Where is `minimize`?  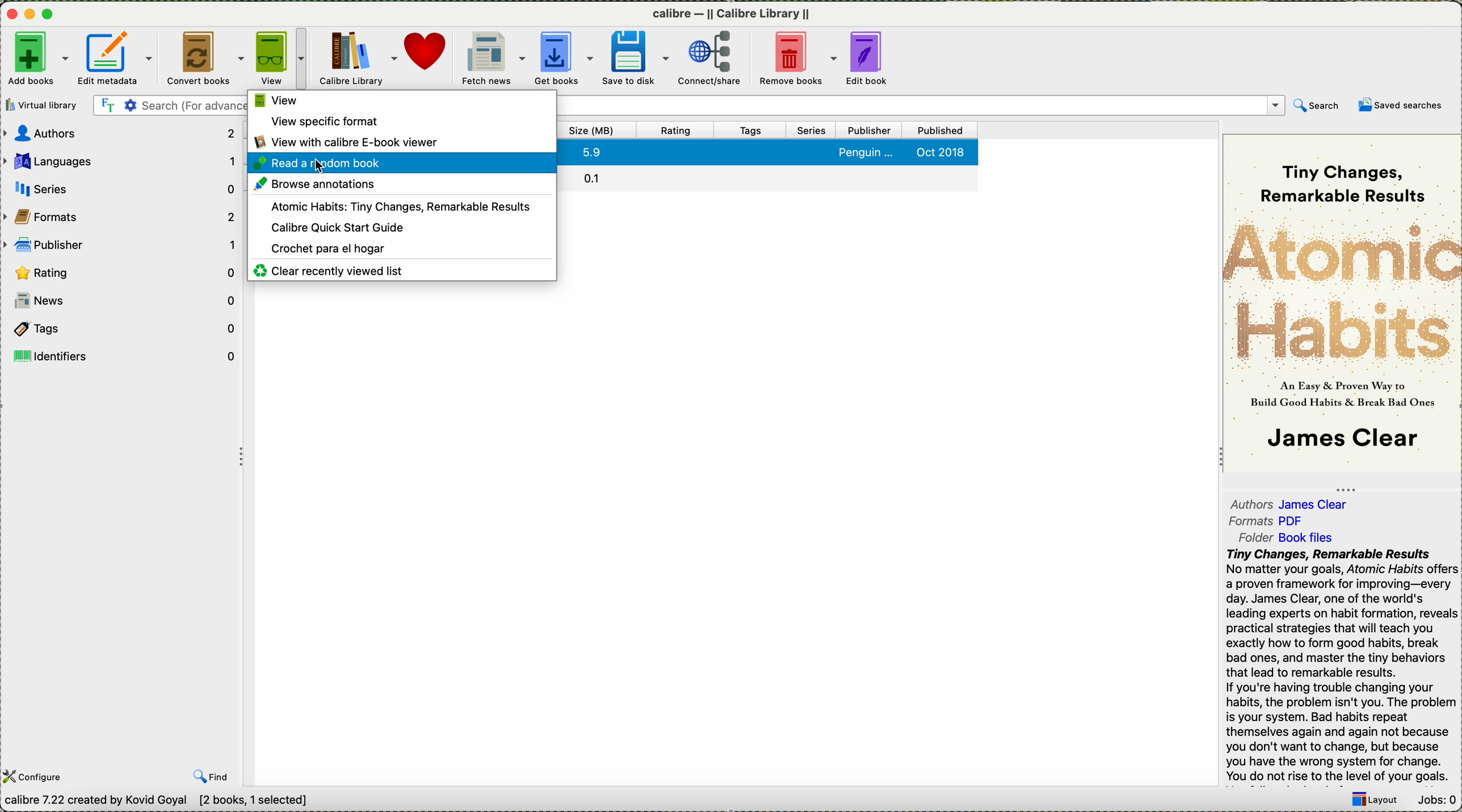 minimize is located at coordinates (28, 15).